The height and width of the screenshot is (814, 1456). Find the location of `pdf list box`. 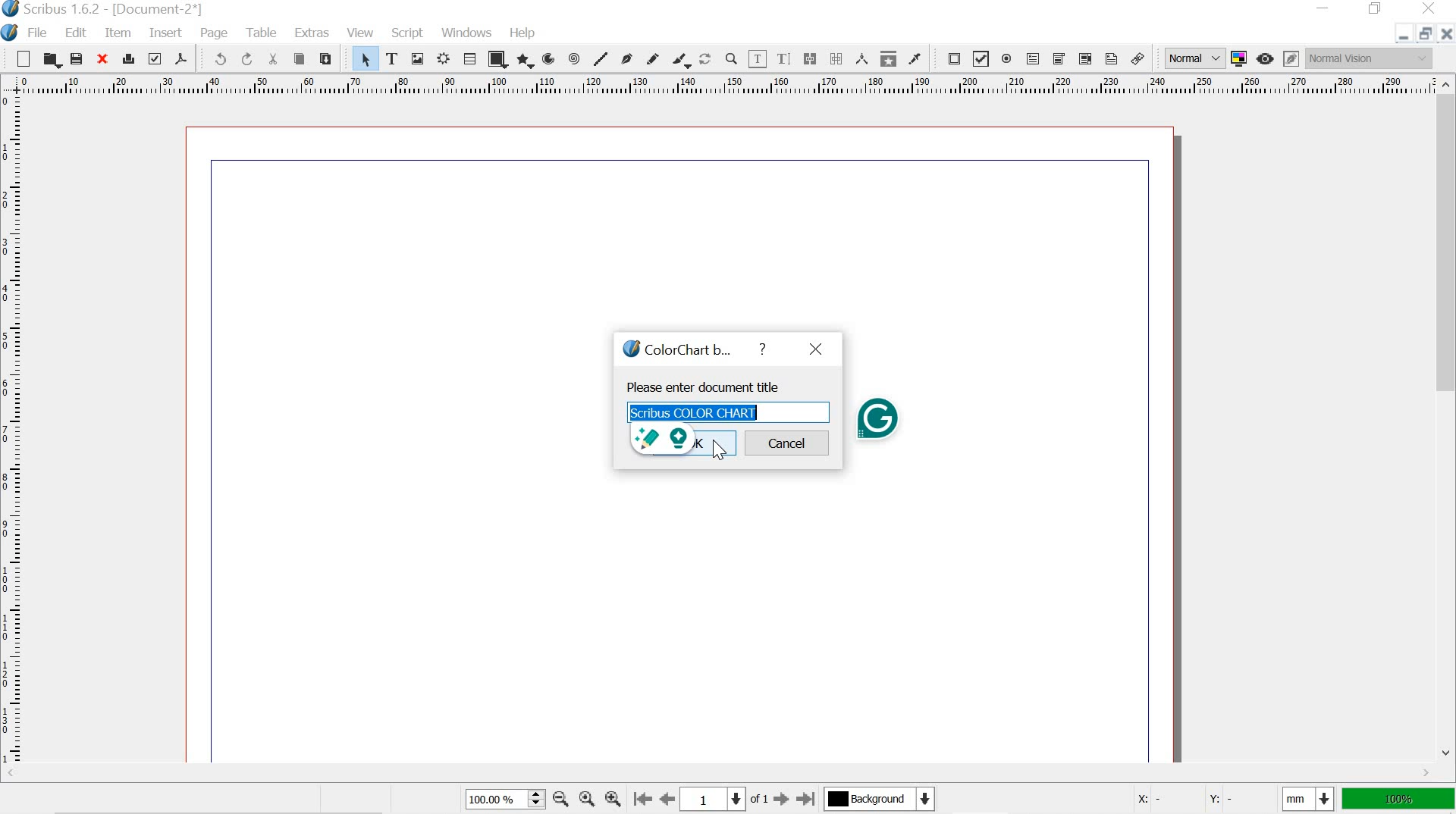

pdf list box is located at coordinates (1083, 59).